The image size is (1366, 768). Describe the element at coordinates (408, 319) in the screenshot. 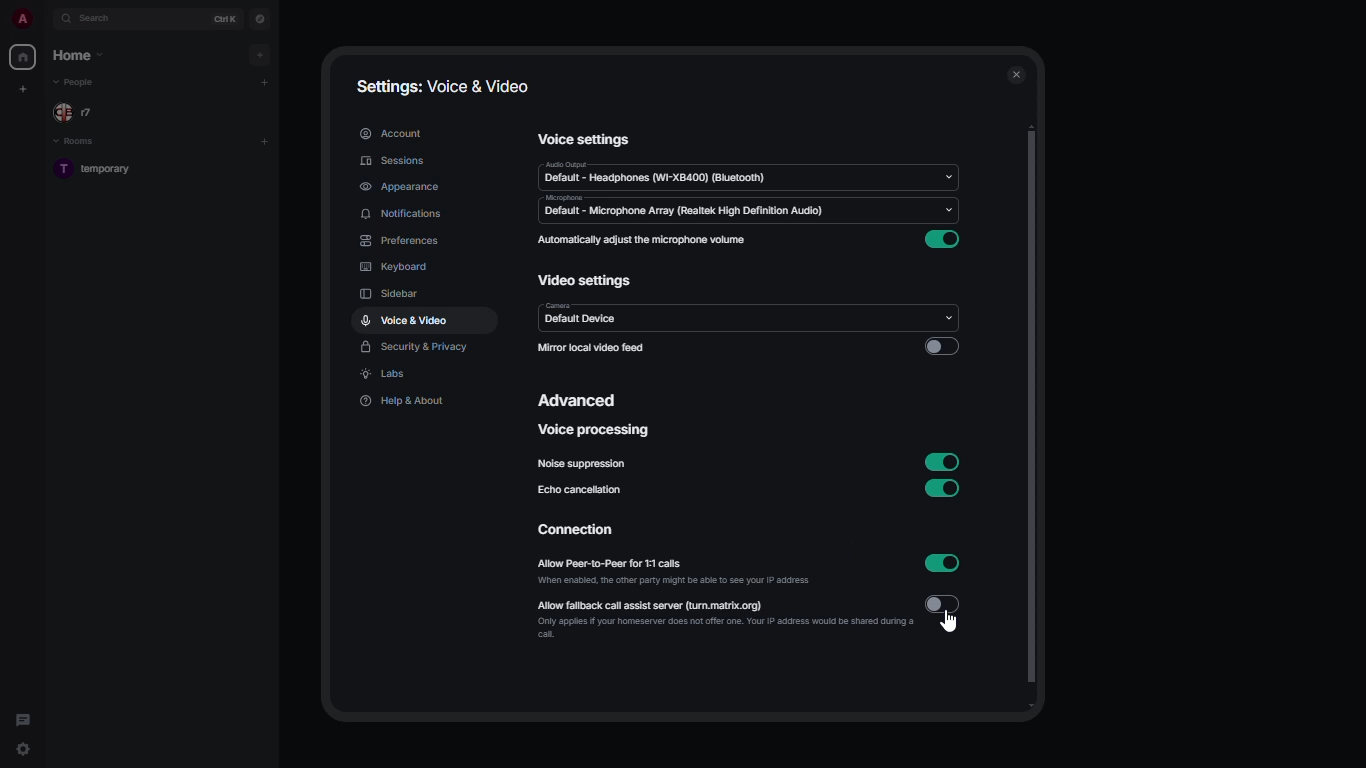

I see `voice & video` at that location.